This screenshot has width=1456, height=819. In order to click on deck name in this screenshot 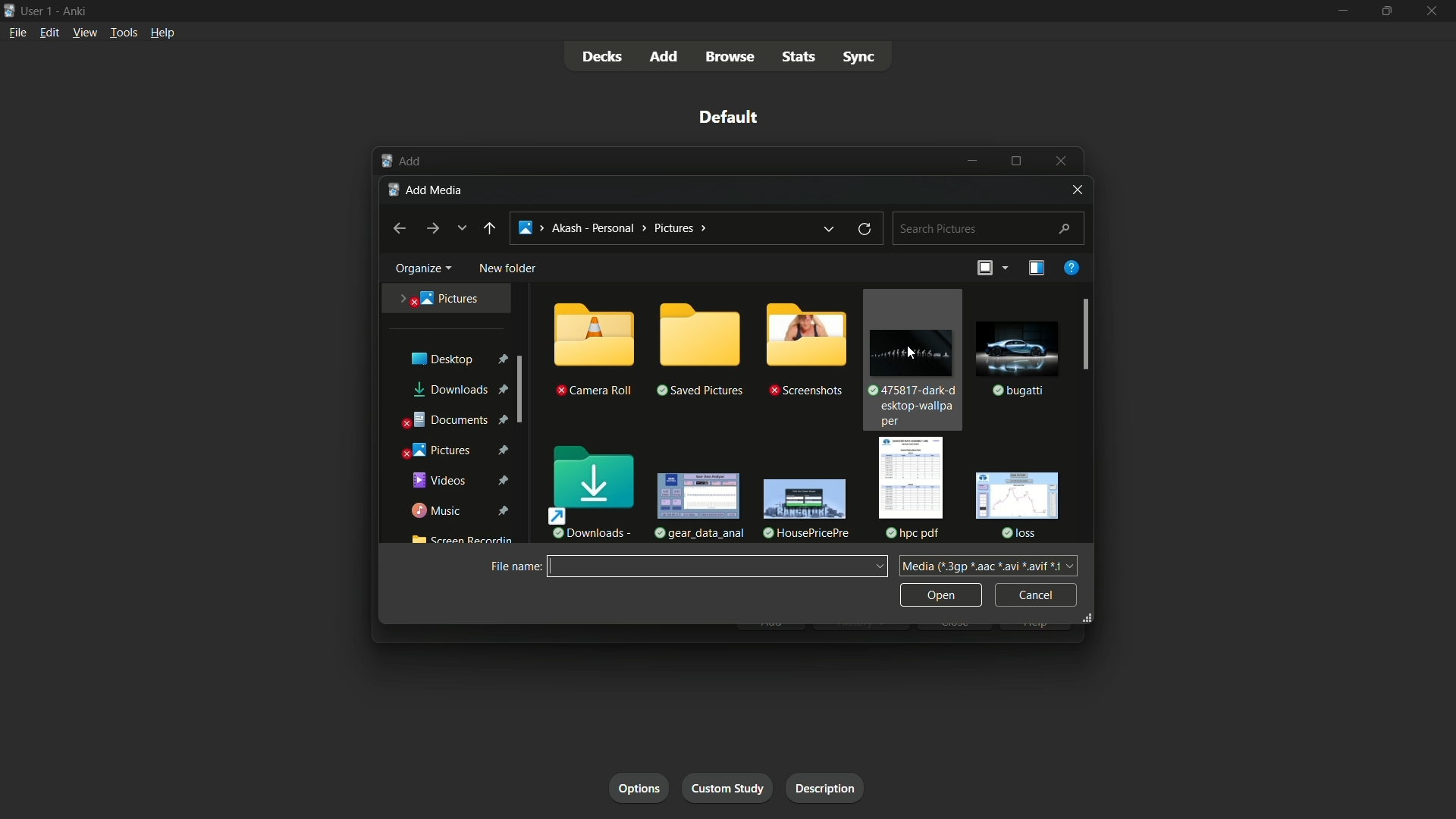, I will do `click(732, 118)`.